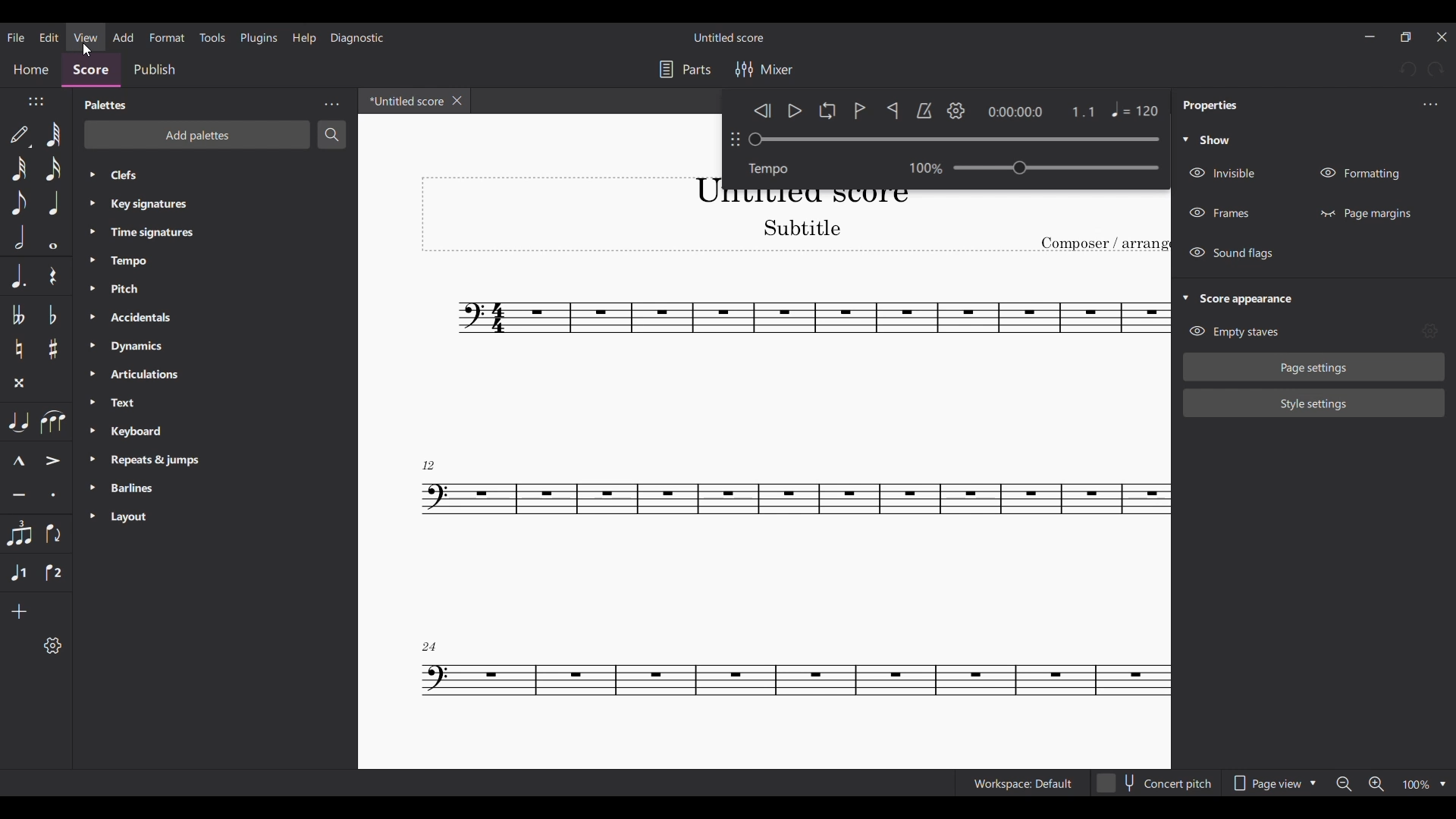 The height and width of the screenshot is (819, 1456). Describe the element at coordinates (91, 73) in the screenshot. I see `Score` at that location.